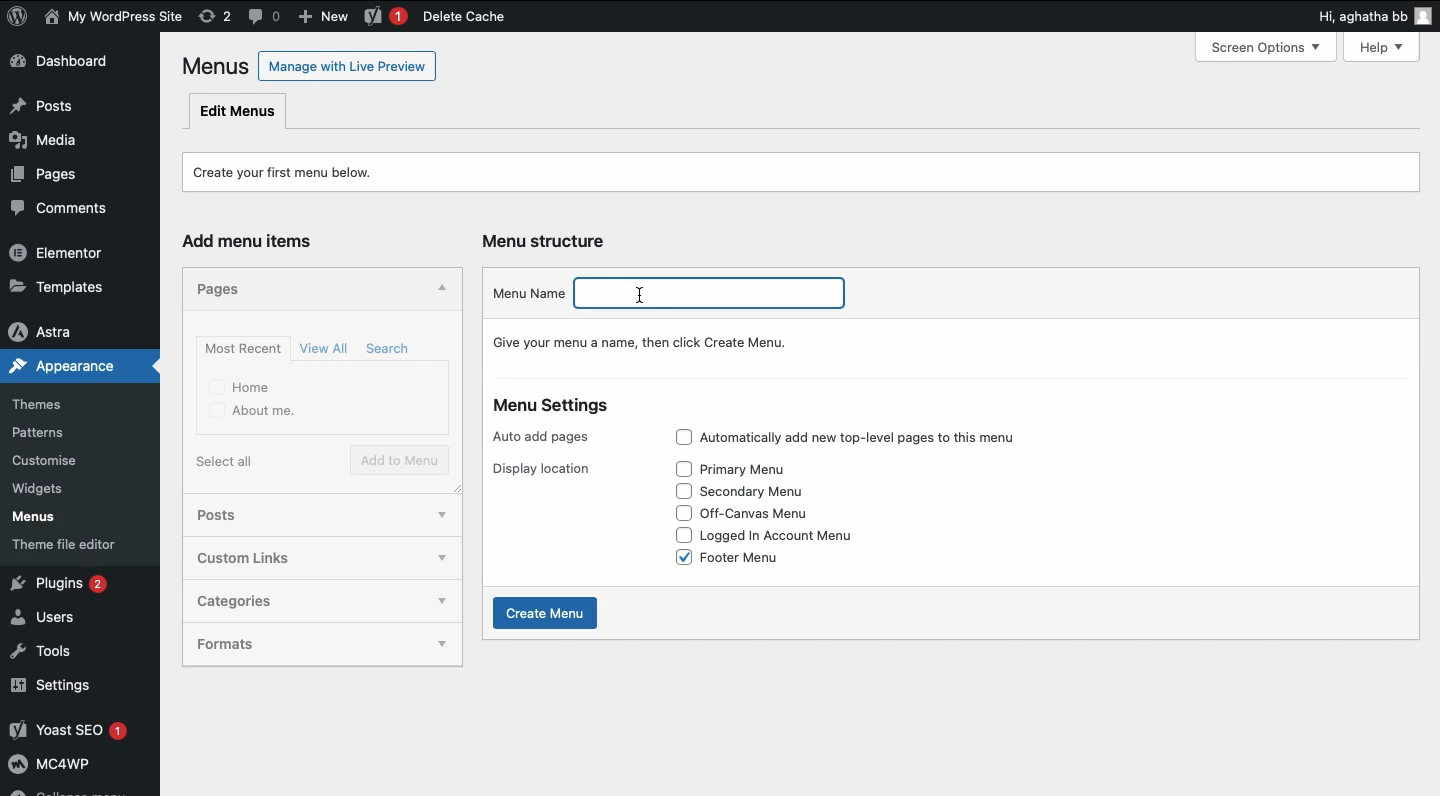  I want to click on WordPress Logo, so click(18, 16).